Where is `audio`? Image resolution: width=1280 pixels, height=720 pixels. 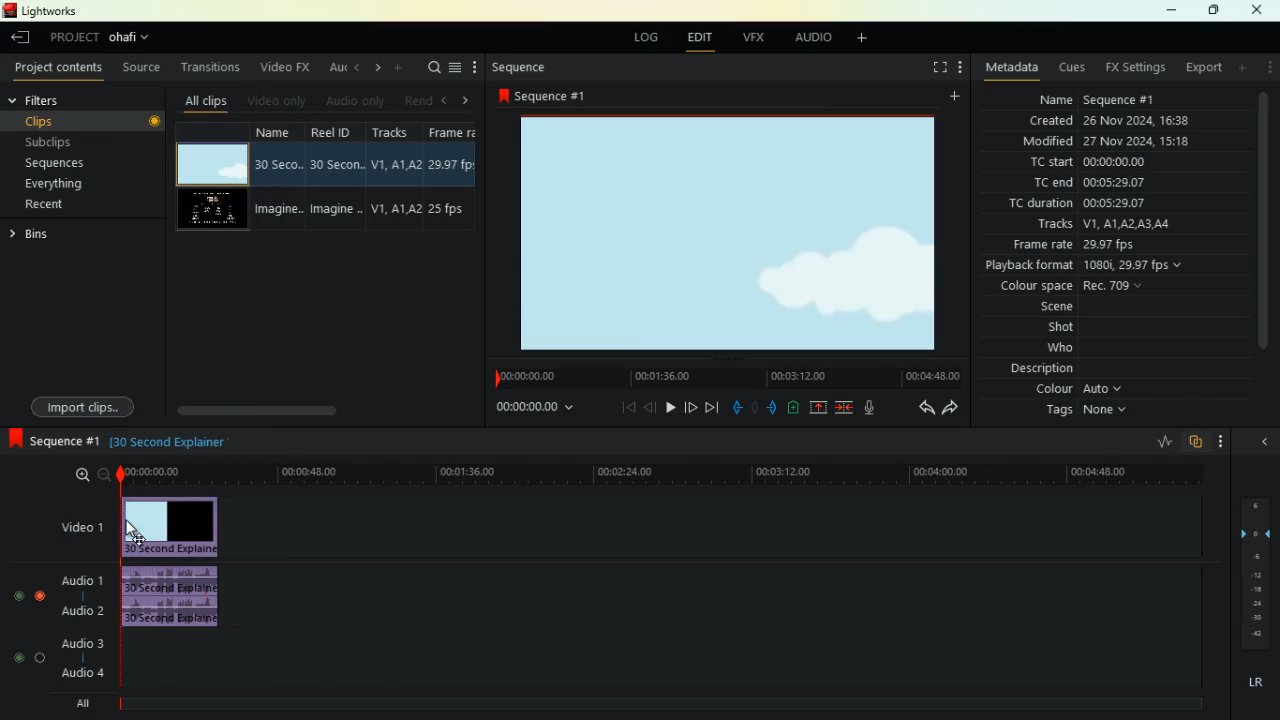
audio is located at coordinates (815, 40).